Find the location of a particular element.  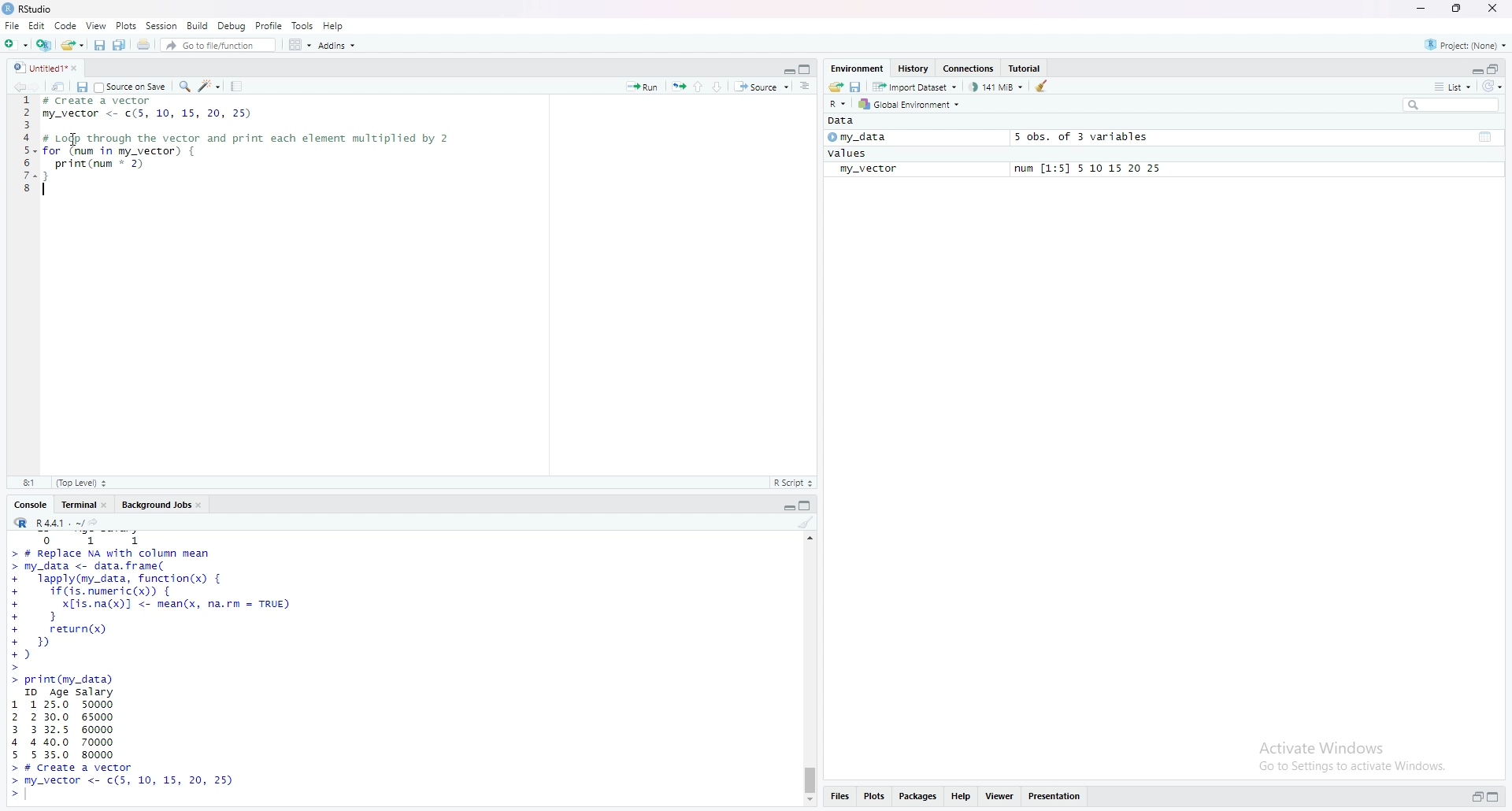

Addins is located at coordinates (338, 46).